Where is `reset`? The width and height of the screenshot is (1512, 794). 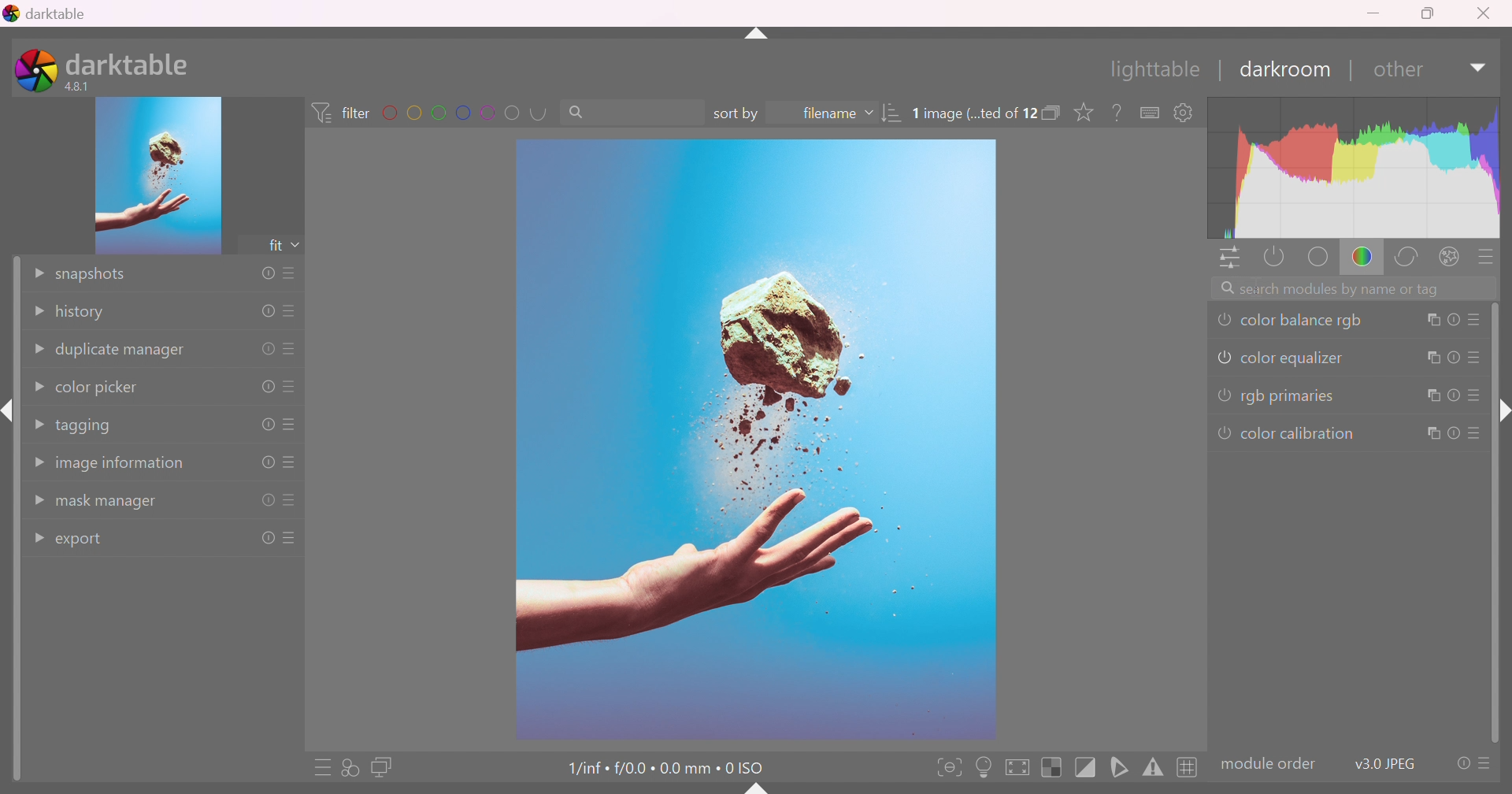
reset is located at coordinates (267, 351).